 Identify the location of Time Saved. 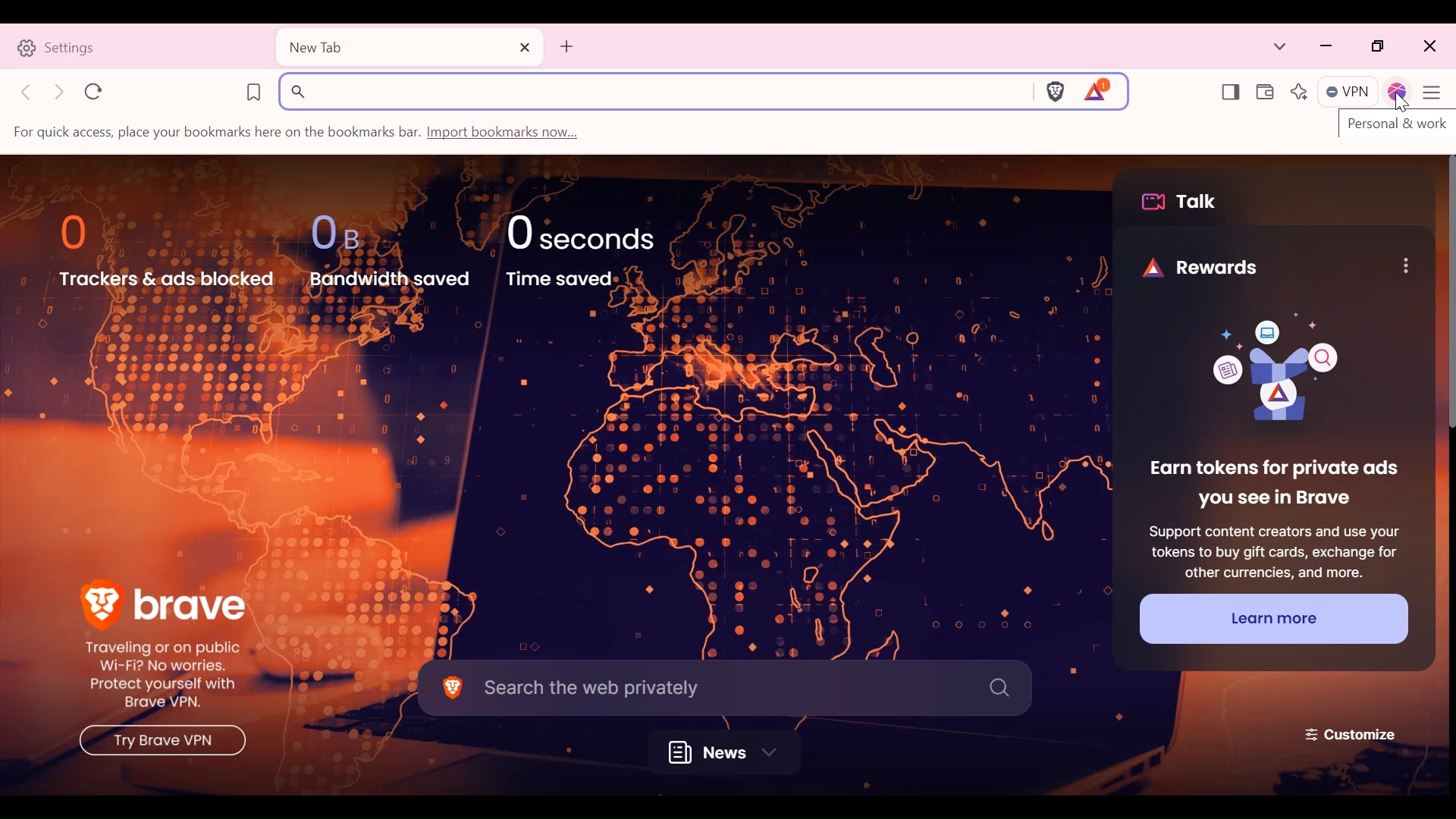
(595, 249).